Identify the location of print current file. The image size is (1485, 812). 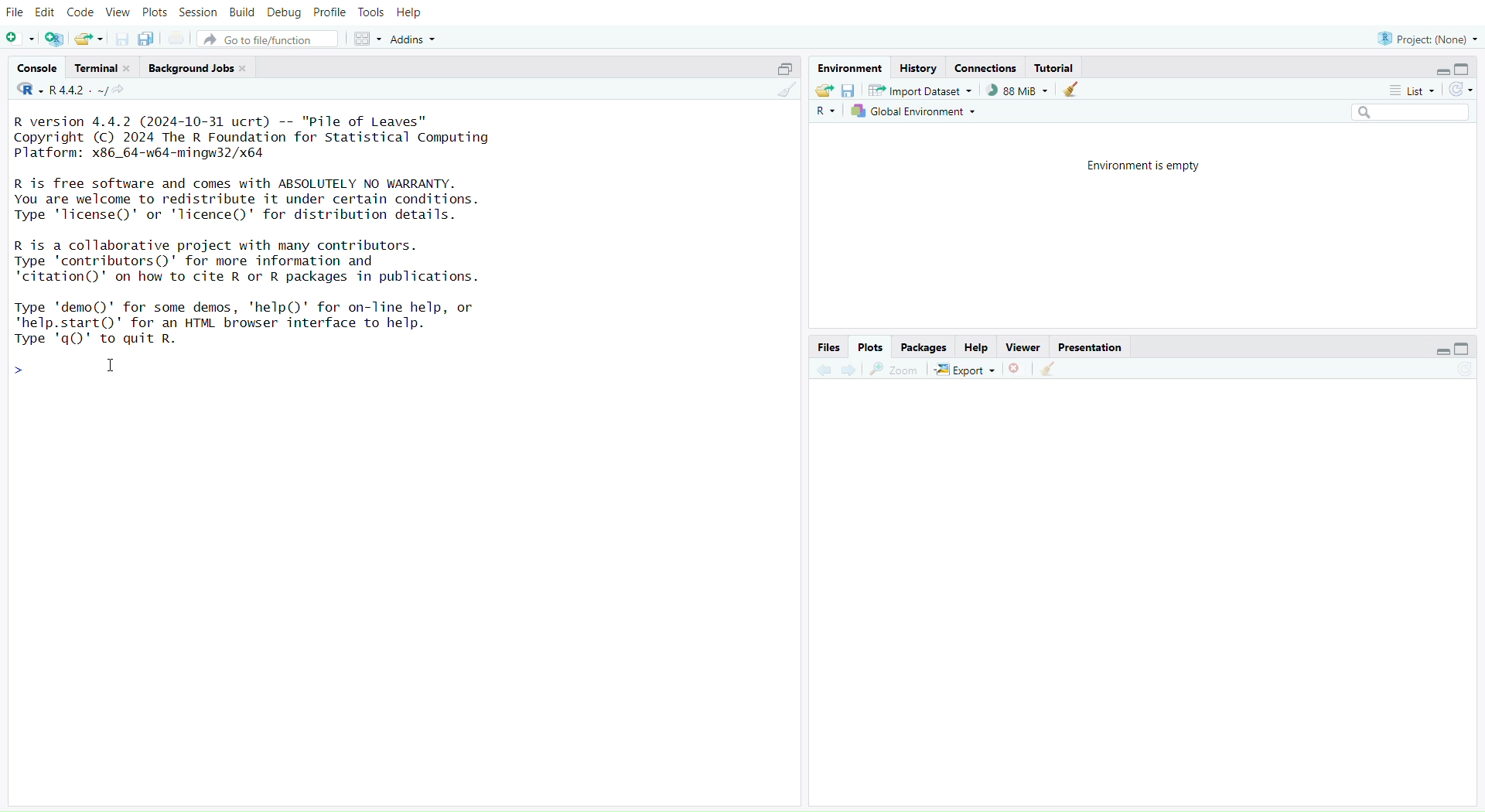
(180, 39).